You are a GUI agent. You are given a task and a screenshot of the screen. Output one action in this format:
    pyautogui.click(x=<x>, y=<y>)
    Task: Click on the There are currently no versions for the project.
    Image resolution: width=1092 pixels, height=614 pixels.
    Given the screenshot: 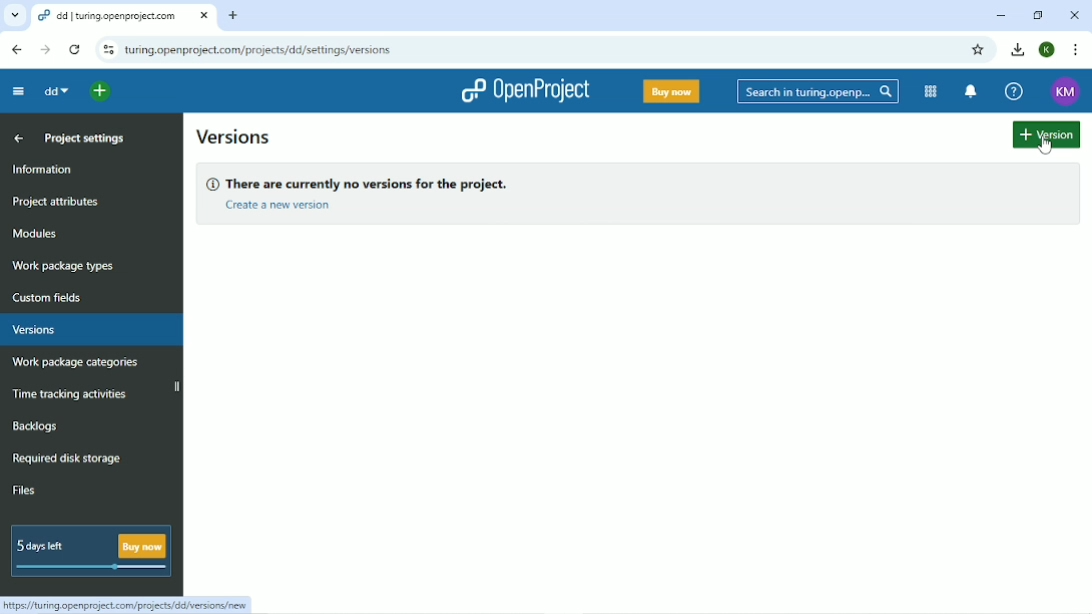 What is the action you would take?
    pyautogui.click(x=367, y=182)
    